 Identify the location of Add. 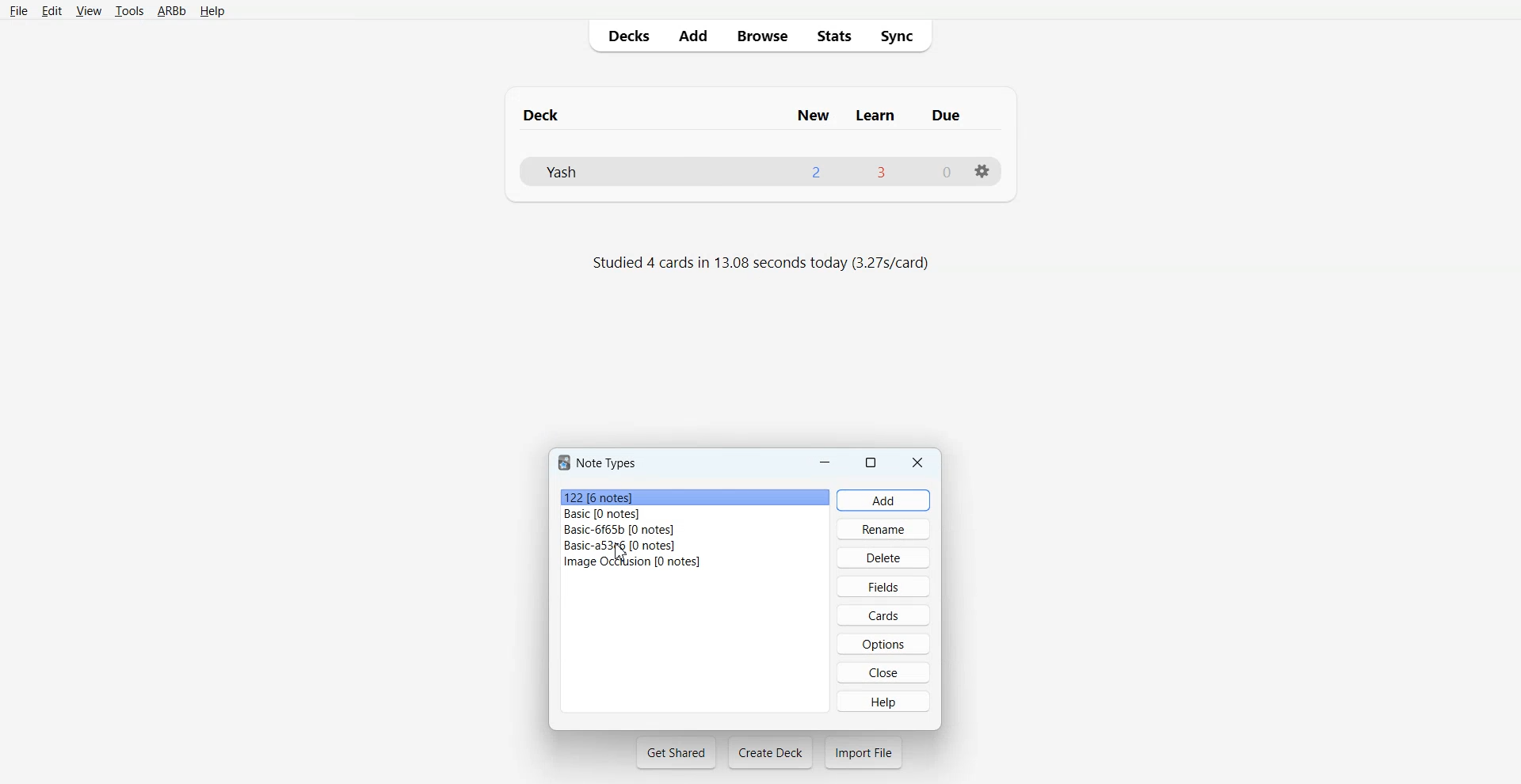
(884, 500).